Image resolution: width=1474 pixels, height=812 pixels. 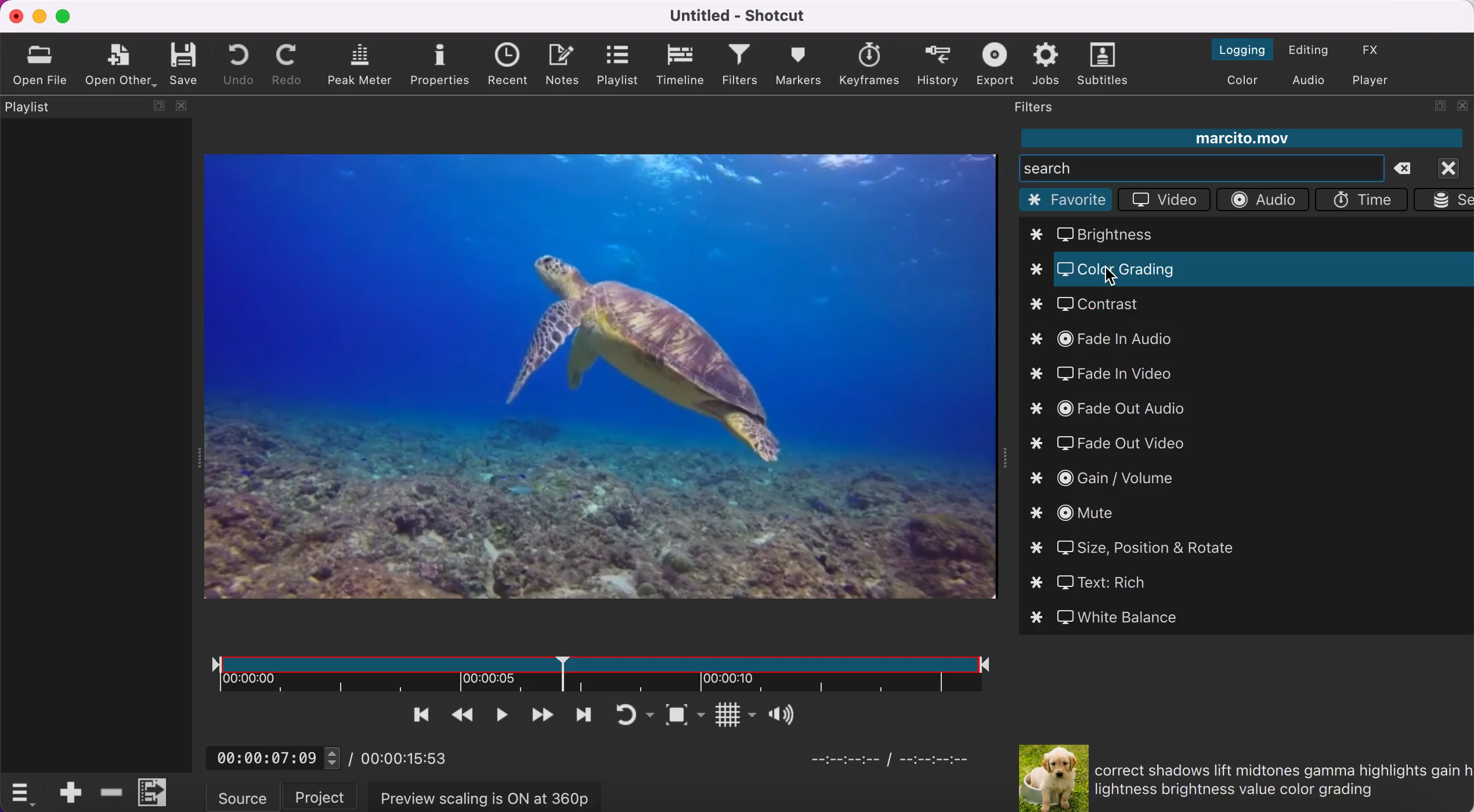 What do you see at coordinates (243, 796) in the screenshot?
I see `source` at bounding box center [243, 796].